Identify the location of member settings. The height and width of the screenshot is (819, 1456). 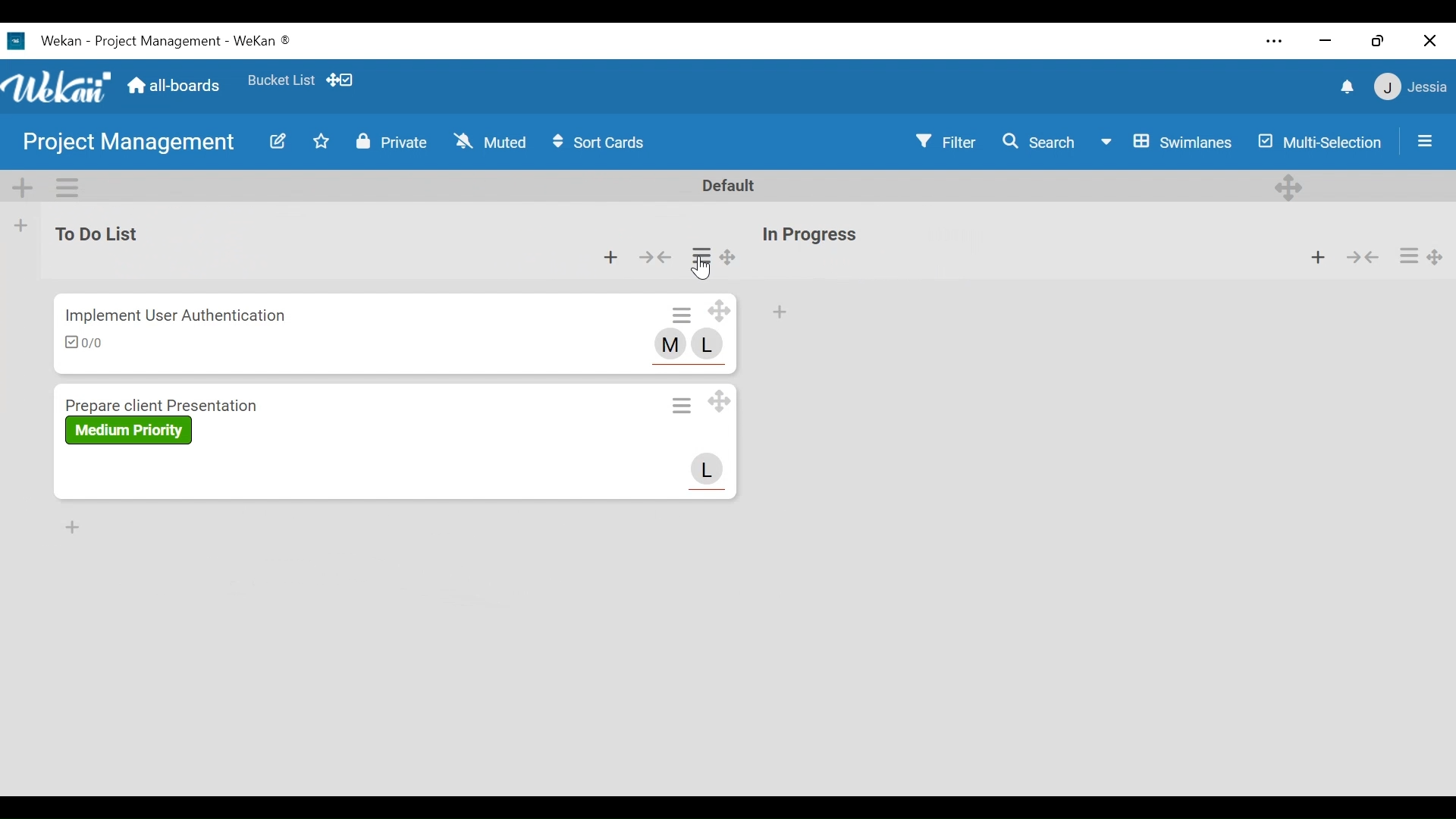
(1410, 86).